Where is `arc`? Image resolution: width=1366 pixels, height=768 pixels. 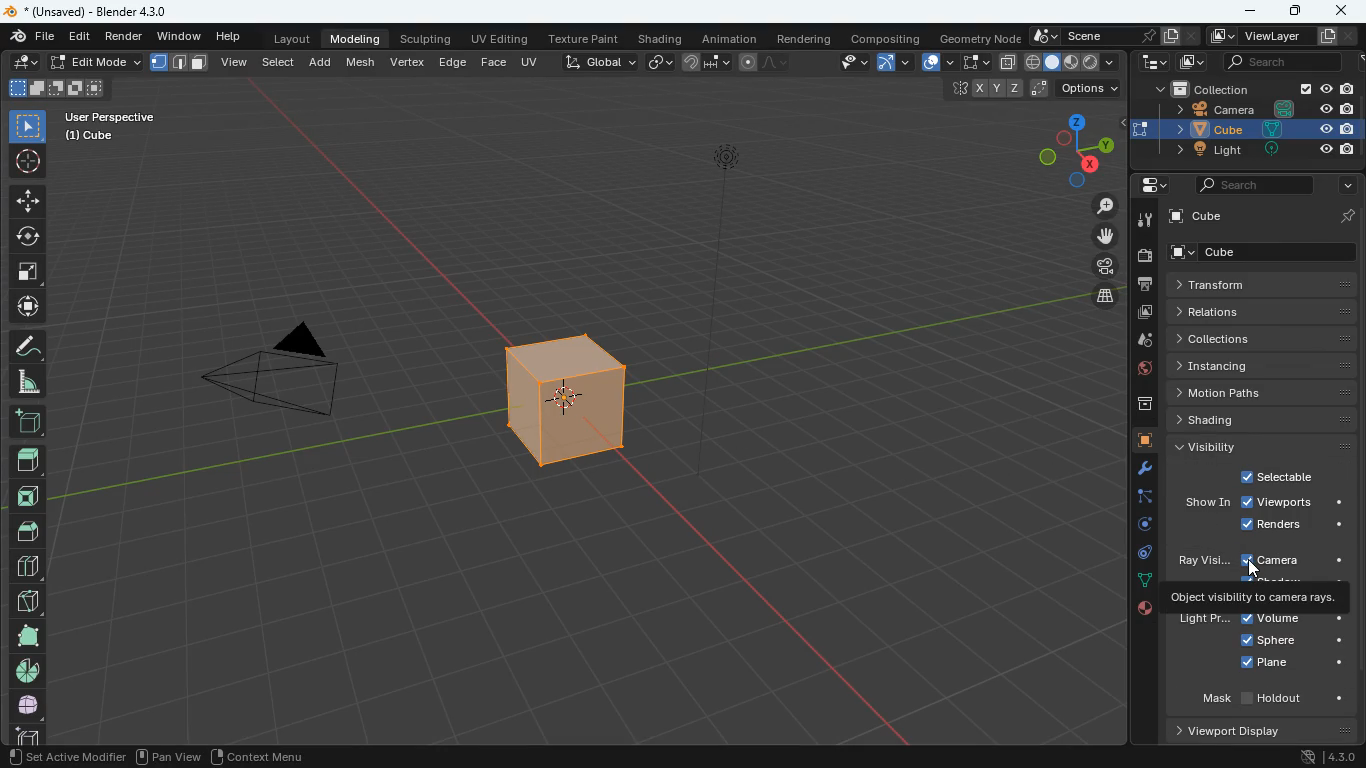
arc is located at coordinates (893, 65).